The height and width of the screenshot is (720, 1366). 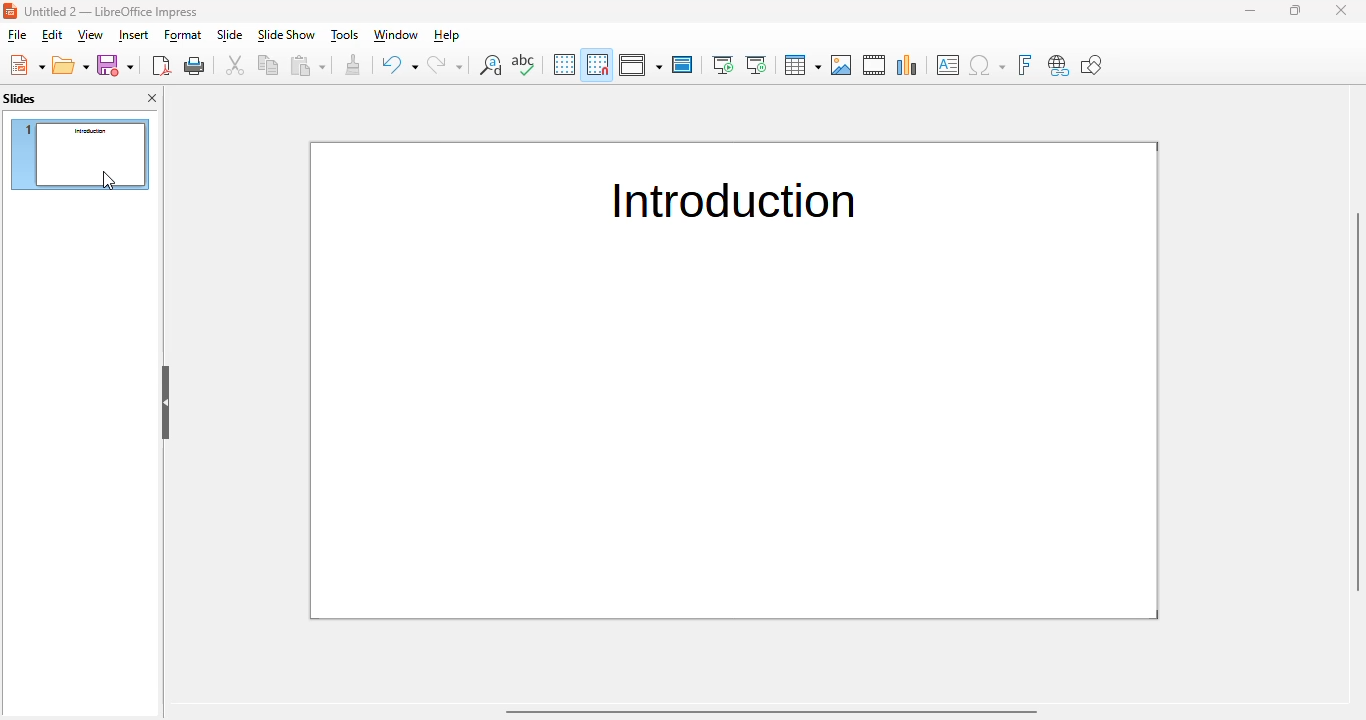 What do you see at coordinates (10, 10) in the screenshot?
I see `logo` at bounding box center [10, 10].